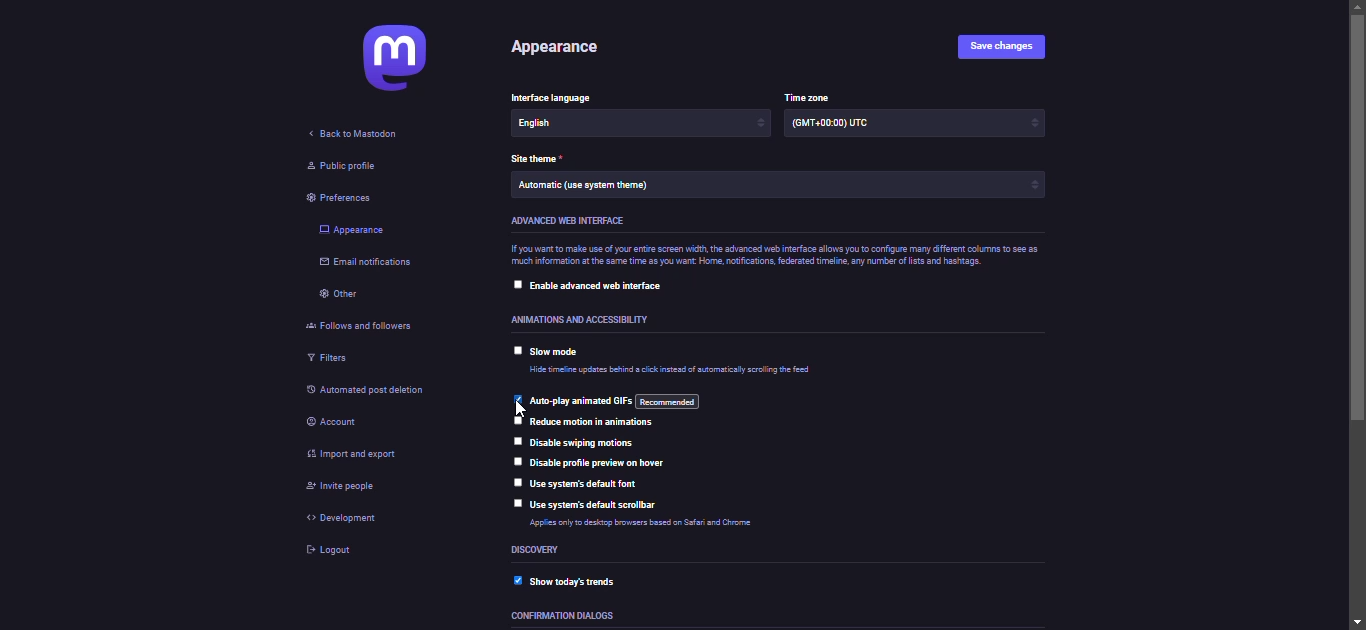 The image size is (1366, 630). Describe the element at coordinates (534, 159) in the screenshot. I see `theme` at that location.